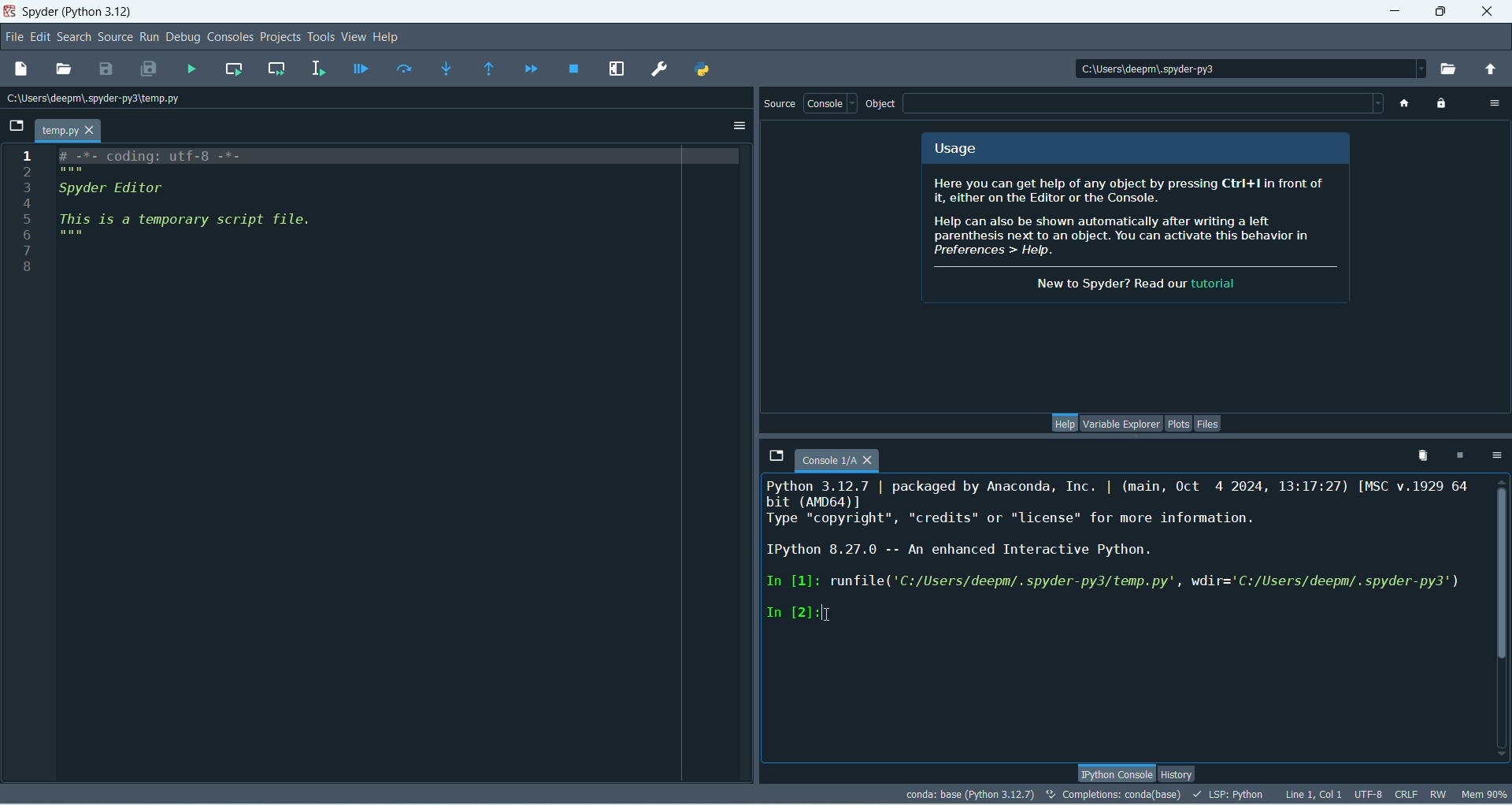 The height and width of the screenshot is (805, 1512). Describe the element at coordinates (1440, 12) in the screenshot. I see `maximize` at that location.